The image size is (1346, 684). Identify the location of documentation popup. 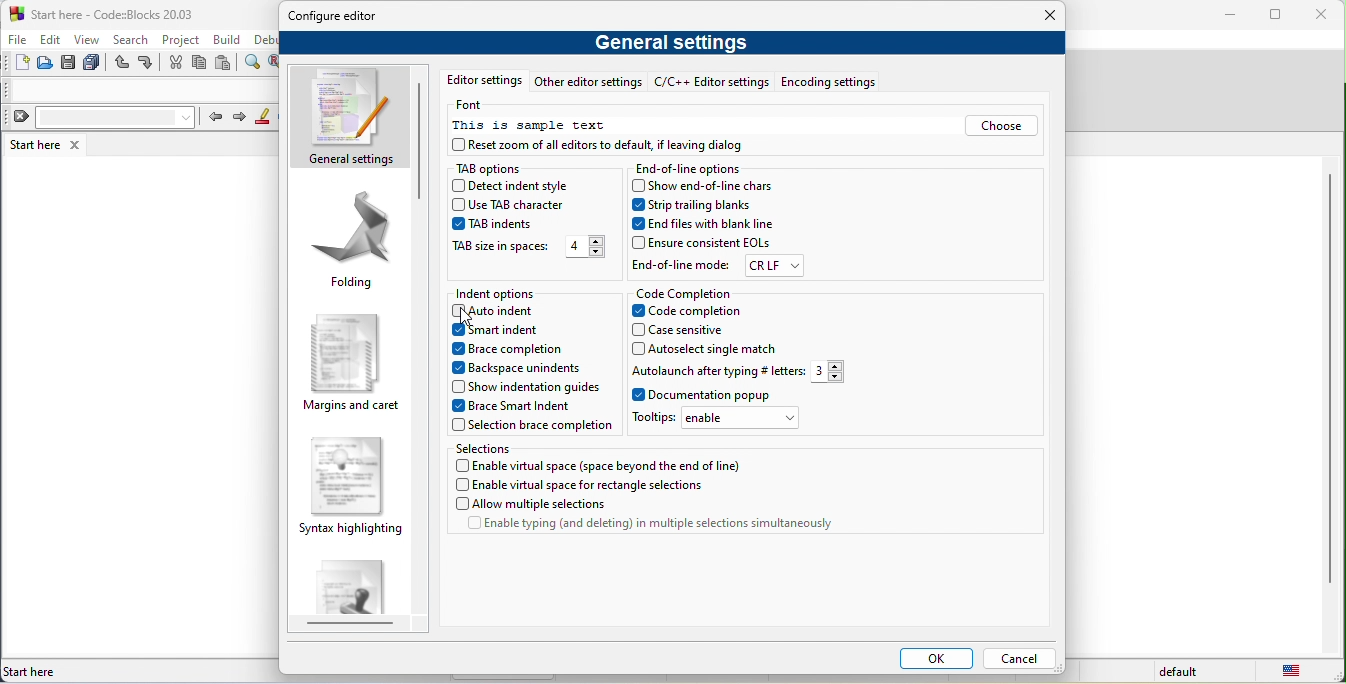
(726, 396).